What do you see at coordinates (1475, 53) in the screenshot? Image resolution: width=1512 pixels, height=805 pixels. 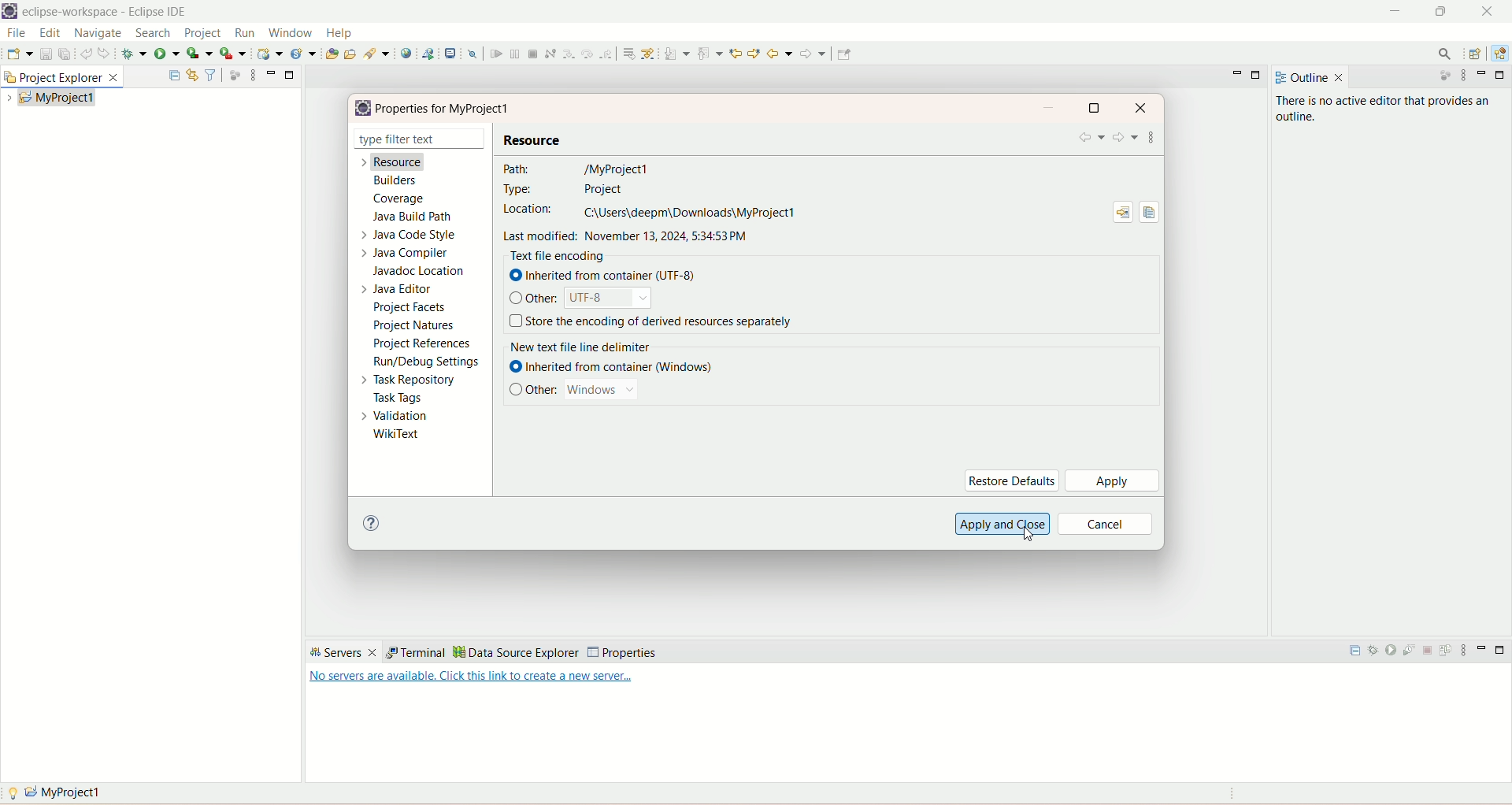 I see `open perspective` at bounding box center [1475, 53].